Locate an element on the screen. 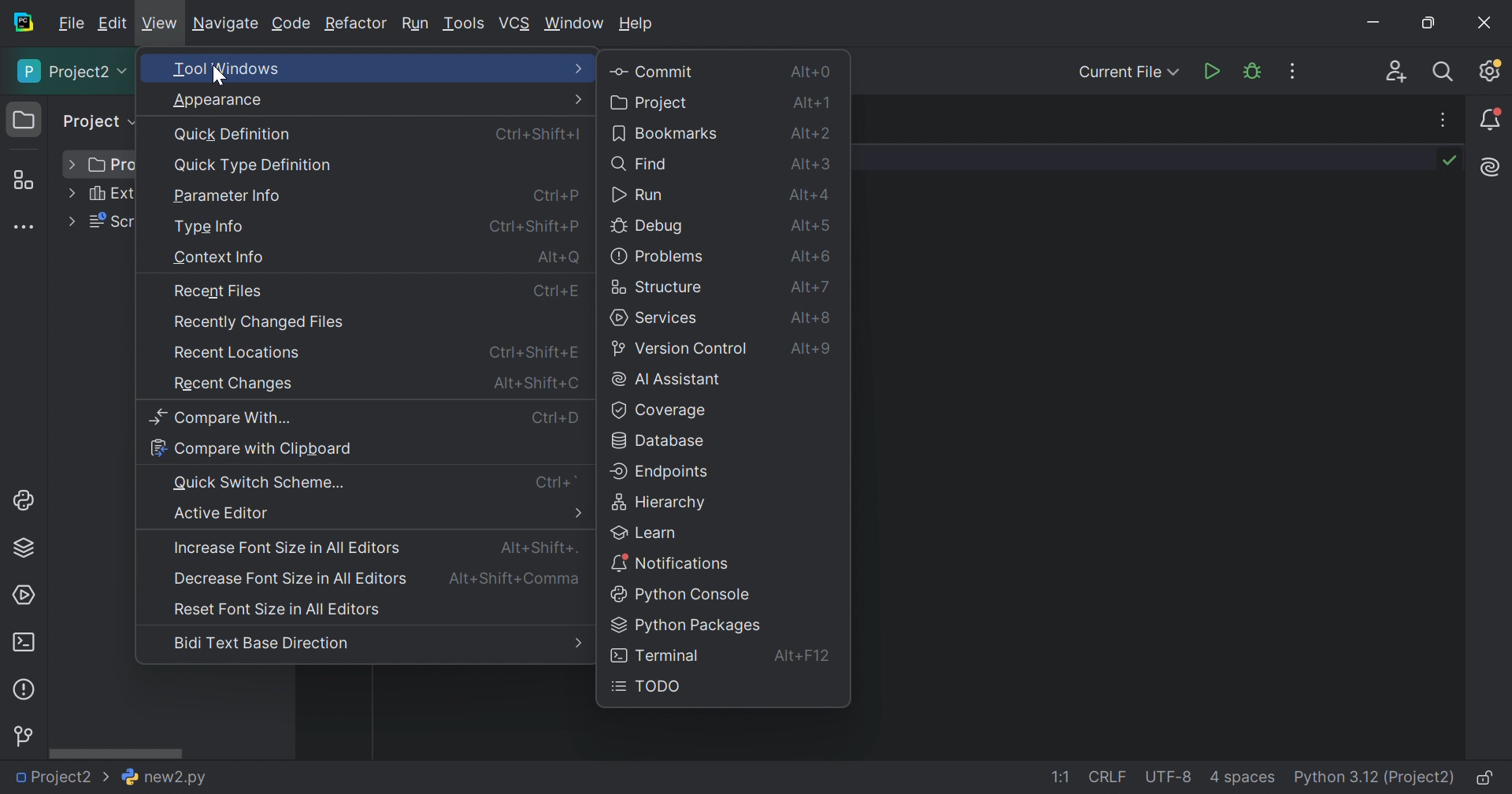 This screenshot has height=794, width=1512. Project is located at coordinates (653, 102).